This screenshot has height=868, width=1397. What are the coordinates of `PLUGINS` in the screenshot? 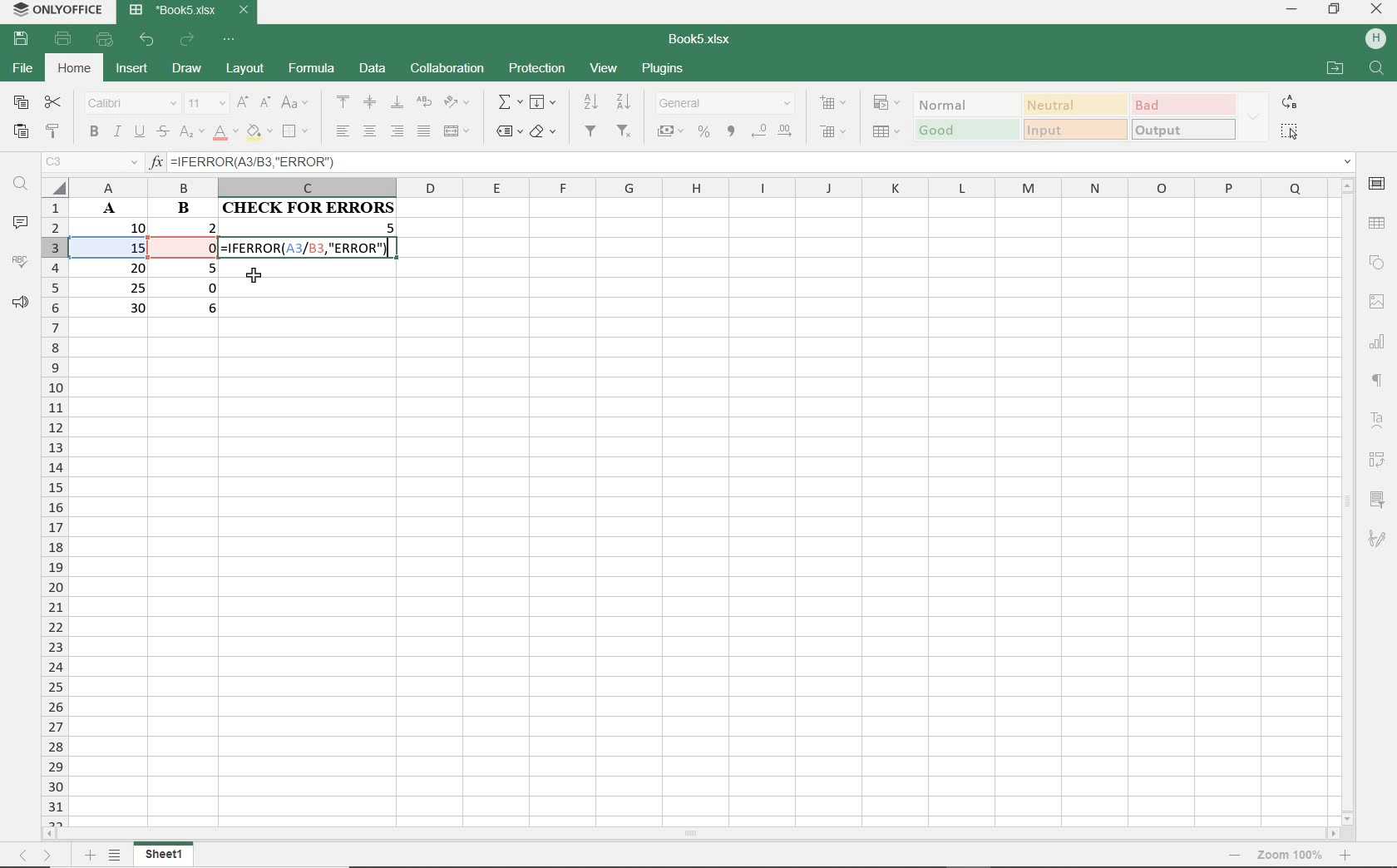 It's located at (662, 71).